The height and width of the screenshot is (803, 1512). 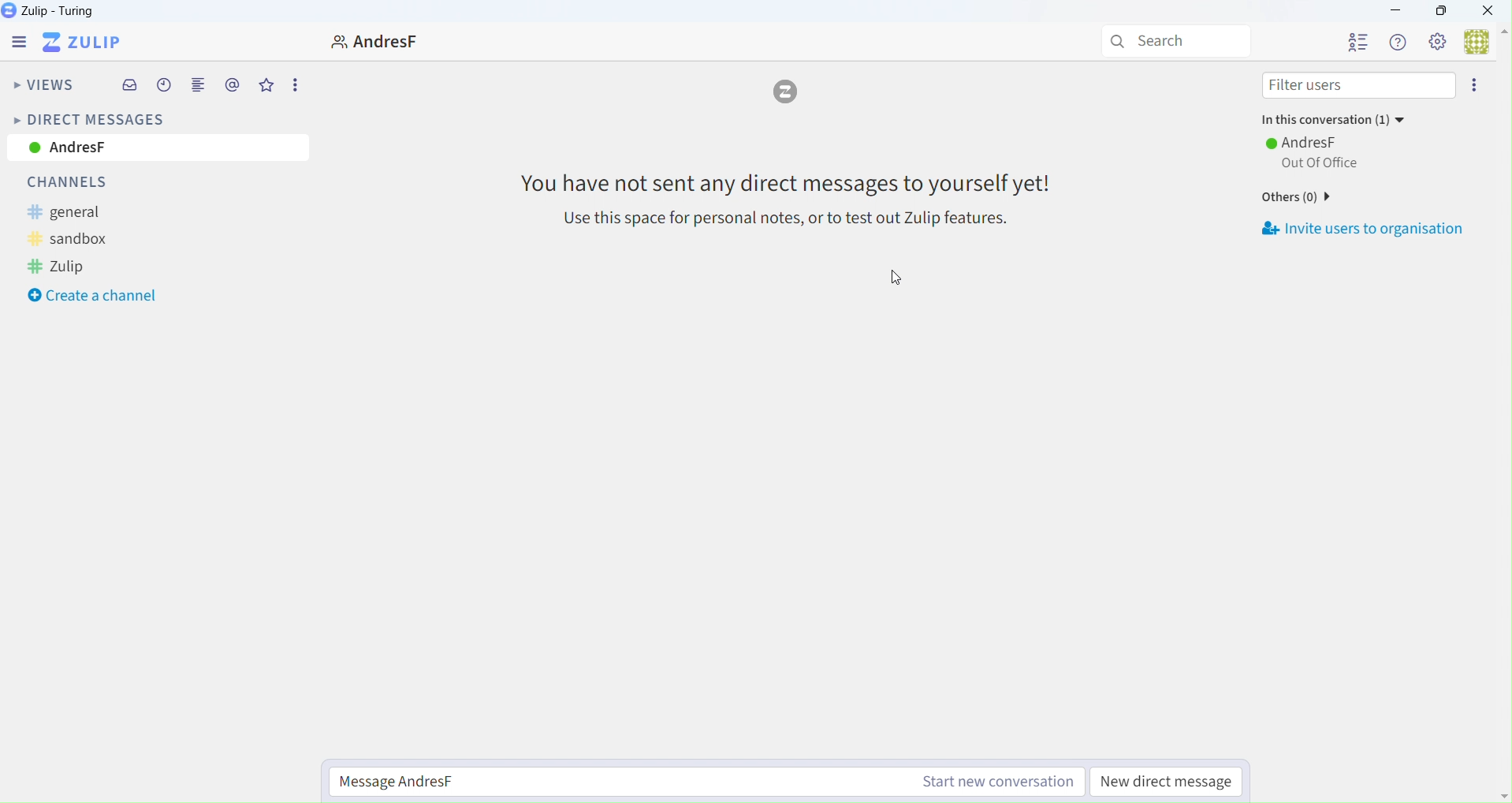 What do you see at coordinates (1439, 43) in the screenshot?
I see `Settings` at bounding box center [1439, 43].